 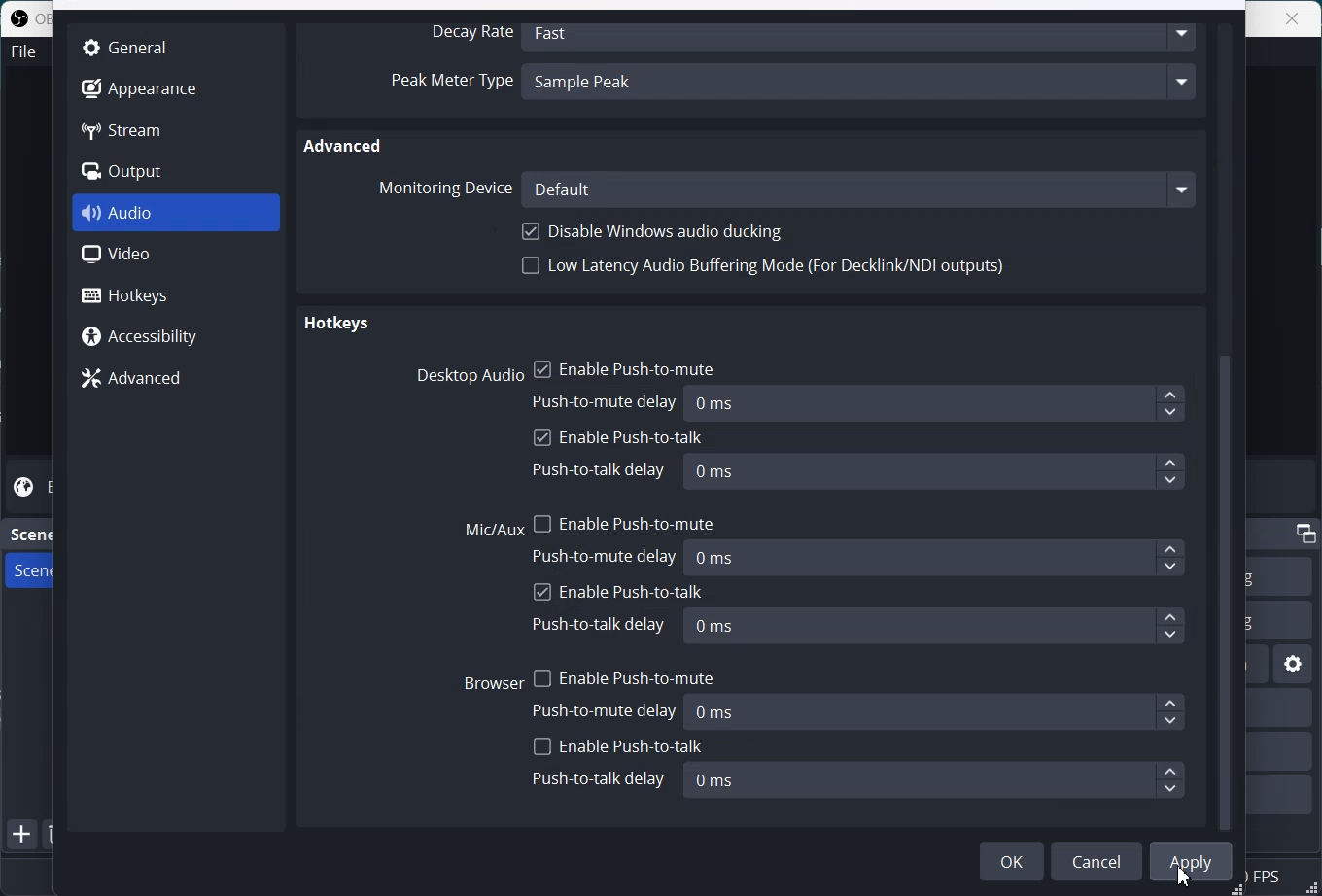 What do you see at coordinates (176, 255) in the screenshot?
I see `Video` at bounding box center [176, 255].